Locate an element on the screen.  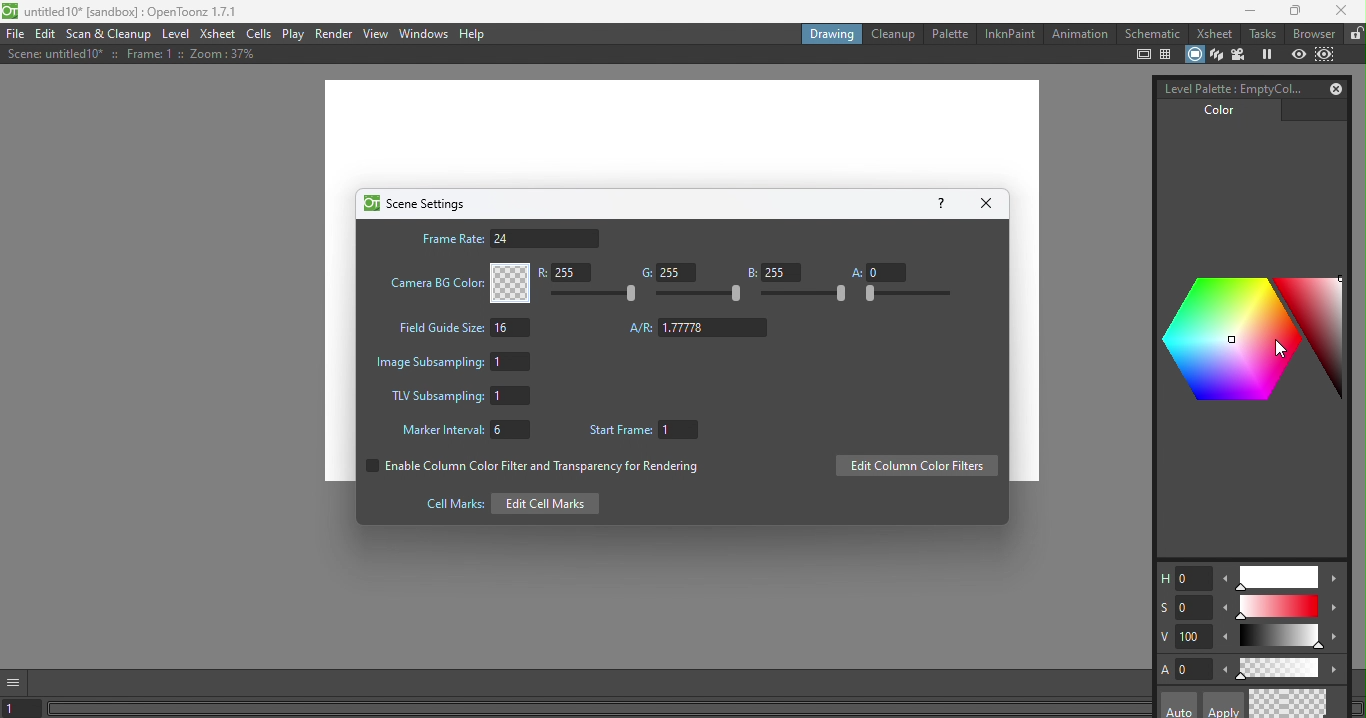
Aspect ratio is located at coordinates (699, 328).